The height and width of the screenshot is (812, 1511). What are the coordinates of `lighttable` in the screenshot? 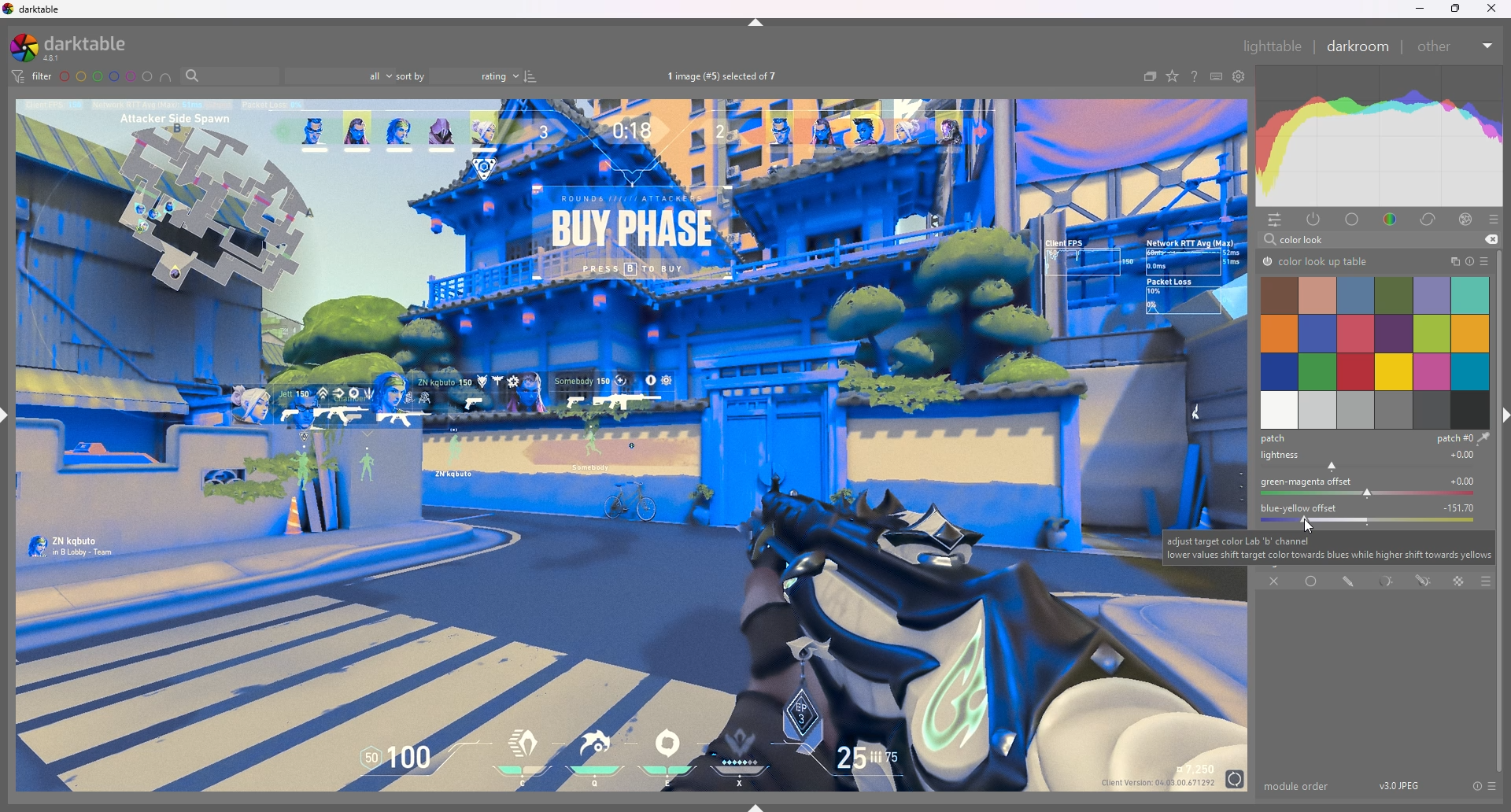 It's located at (1273, 46).